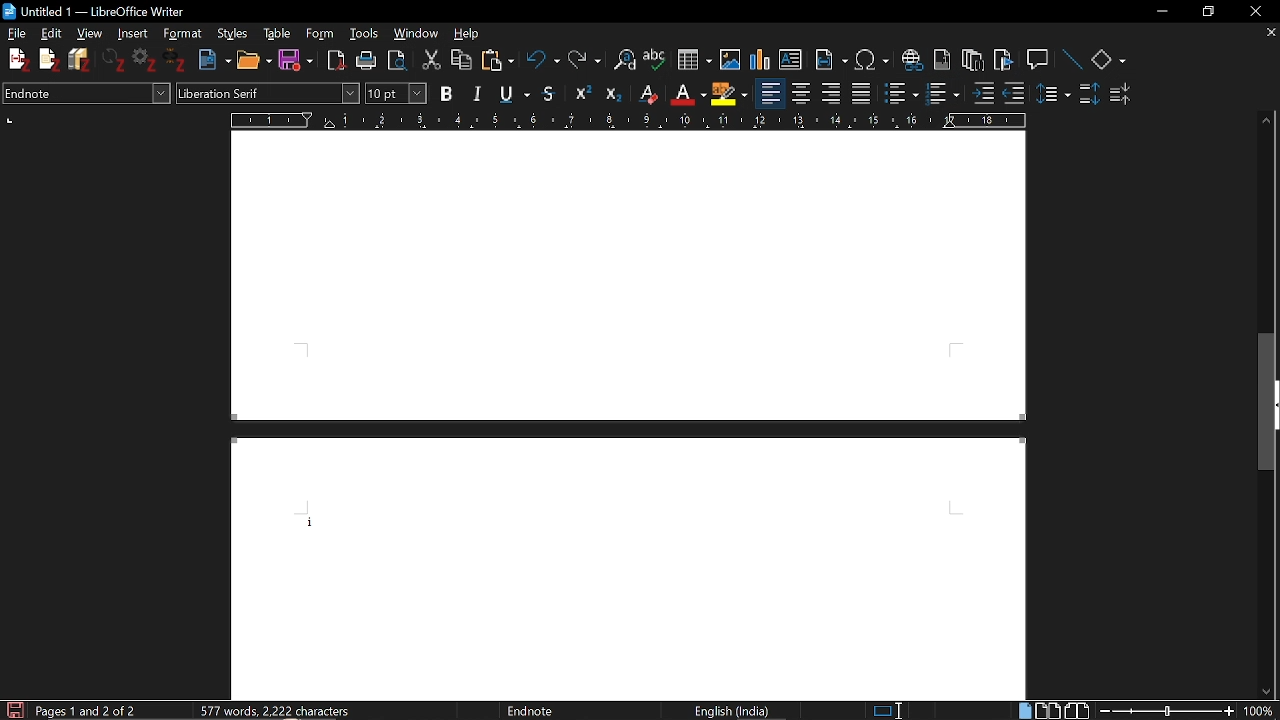 The image size is (1280, 720). What do you see at coordinates (721, 710) in the screenshot?
I see `english (india)` at bounding box center [721, 710].